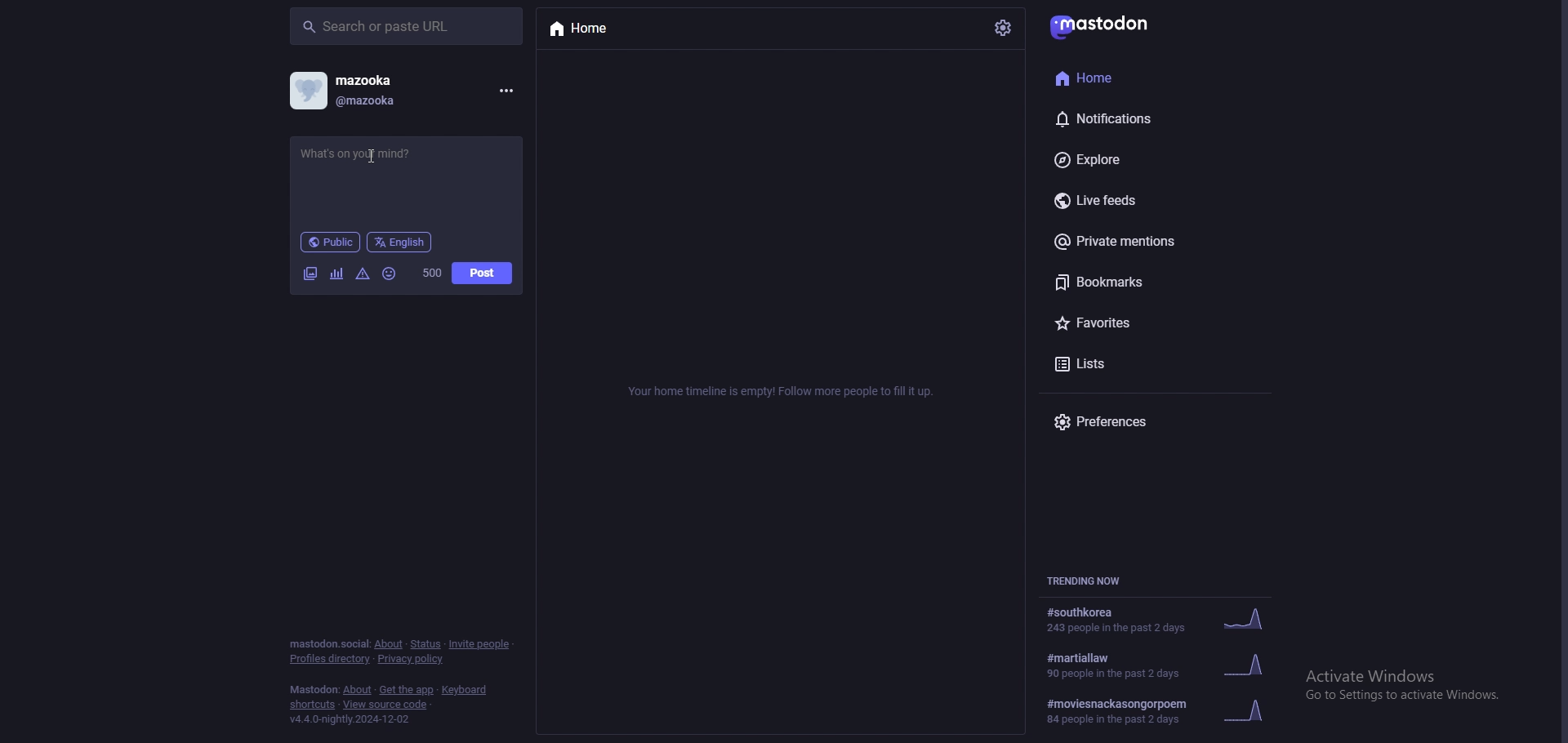  What do you see at coordinates (777, 394) in the screenshot?
I see `info` at bounding box center [777, 394].